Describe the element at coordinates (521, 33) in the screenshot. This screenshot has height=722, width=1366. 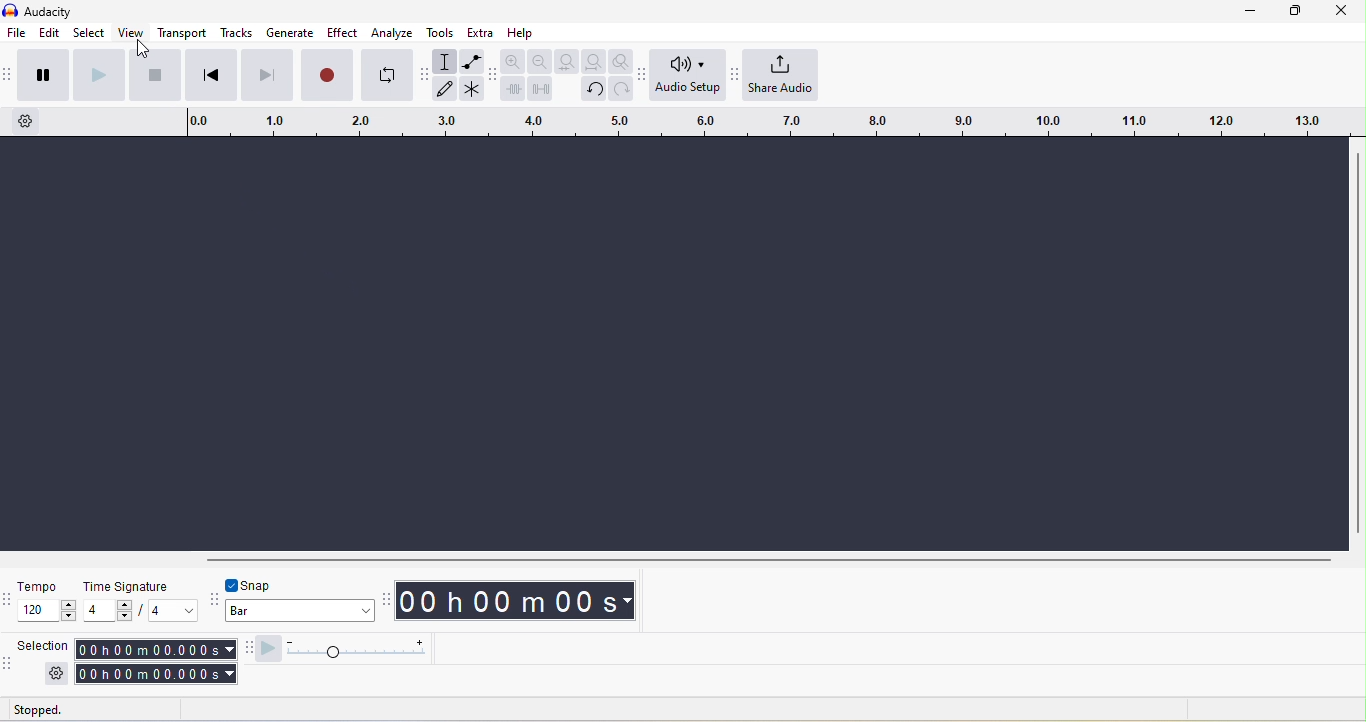
I see `help` at that location.